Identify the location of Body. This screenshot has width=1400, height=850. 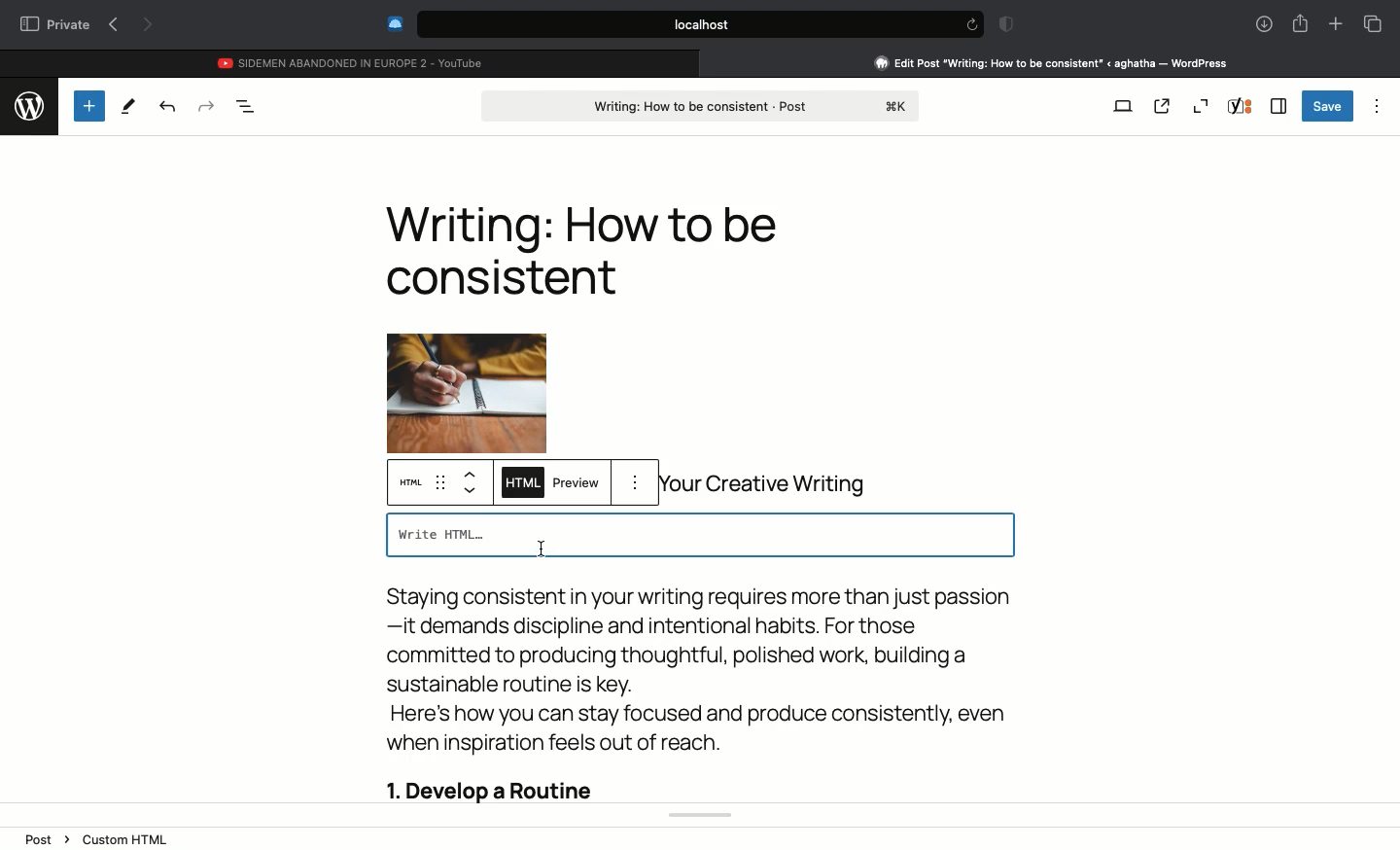
(698, 696).